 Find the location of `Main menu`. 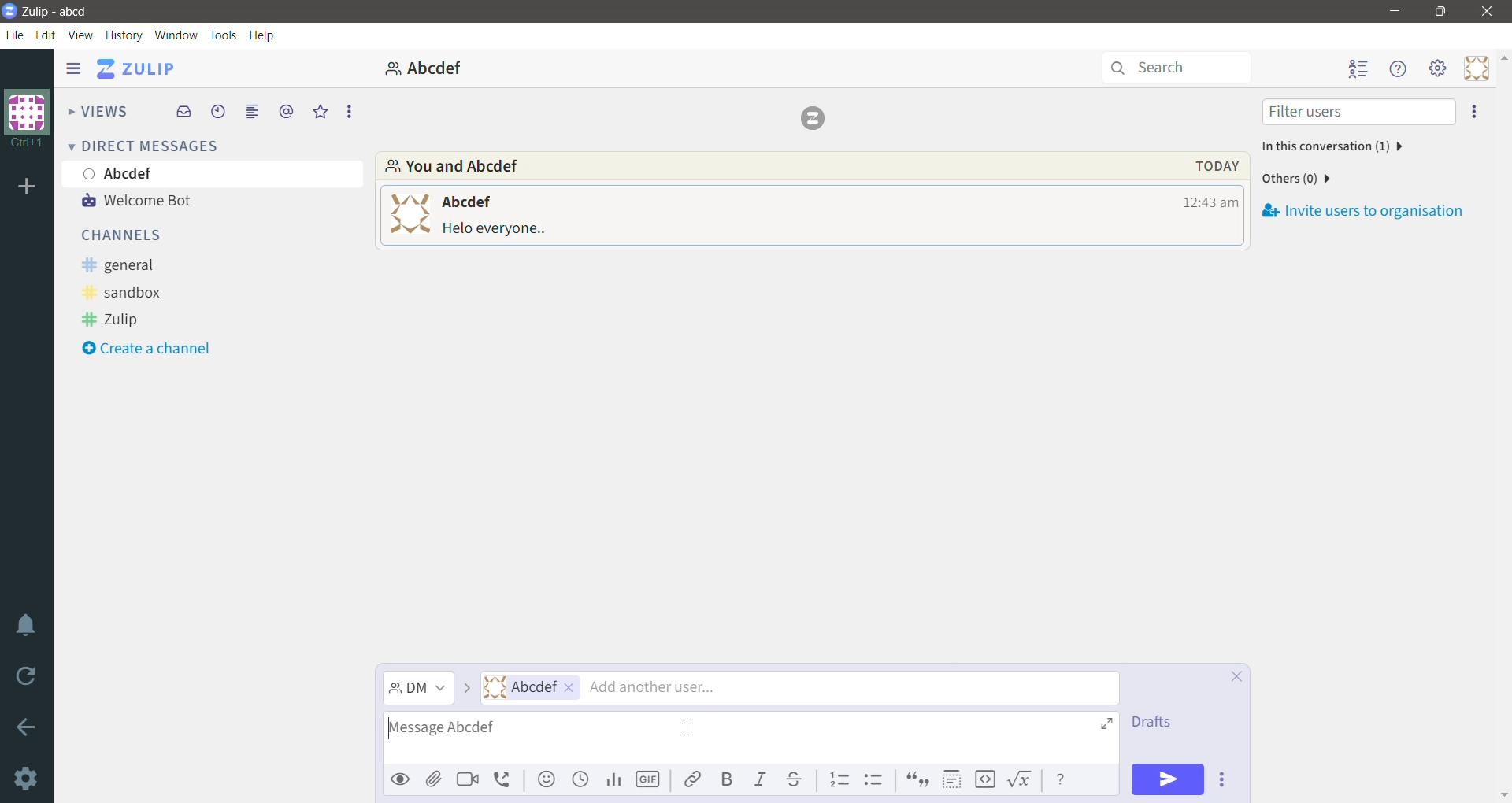

Main menu is located at coordinates (1437, 68).